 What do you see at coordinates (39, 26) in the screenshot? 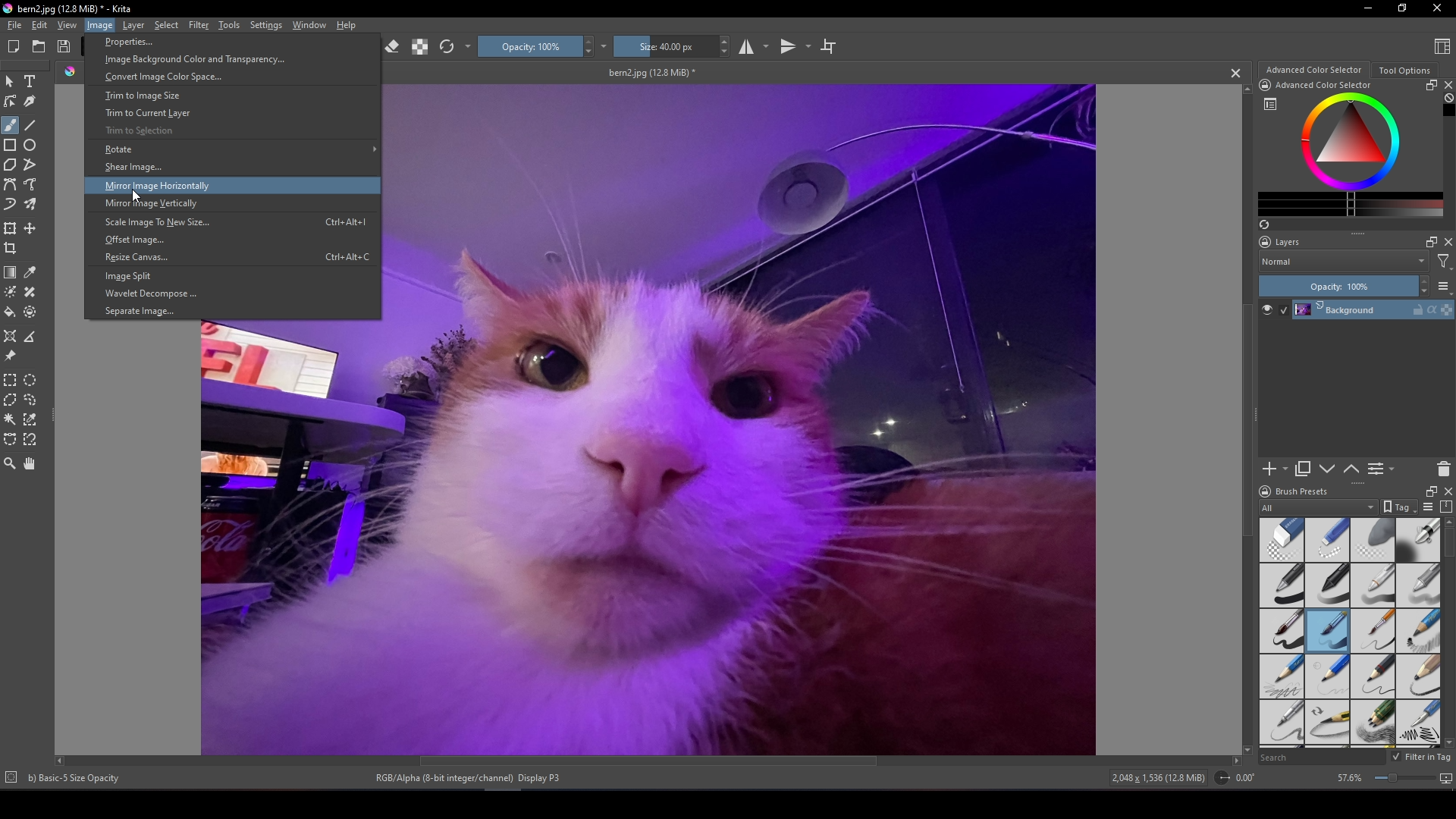
I see `Edit` at bounding box center [39, 26].